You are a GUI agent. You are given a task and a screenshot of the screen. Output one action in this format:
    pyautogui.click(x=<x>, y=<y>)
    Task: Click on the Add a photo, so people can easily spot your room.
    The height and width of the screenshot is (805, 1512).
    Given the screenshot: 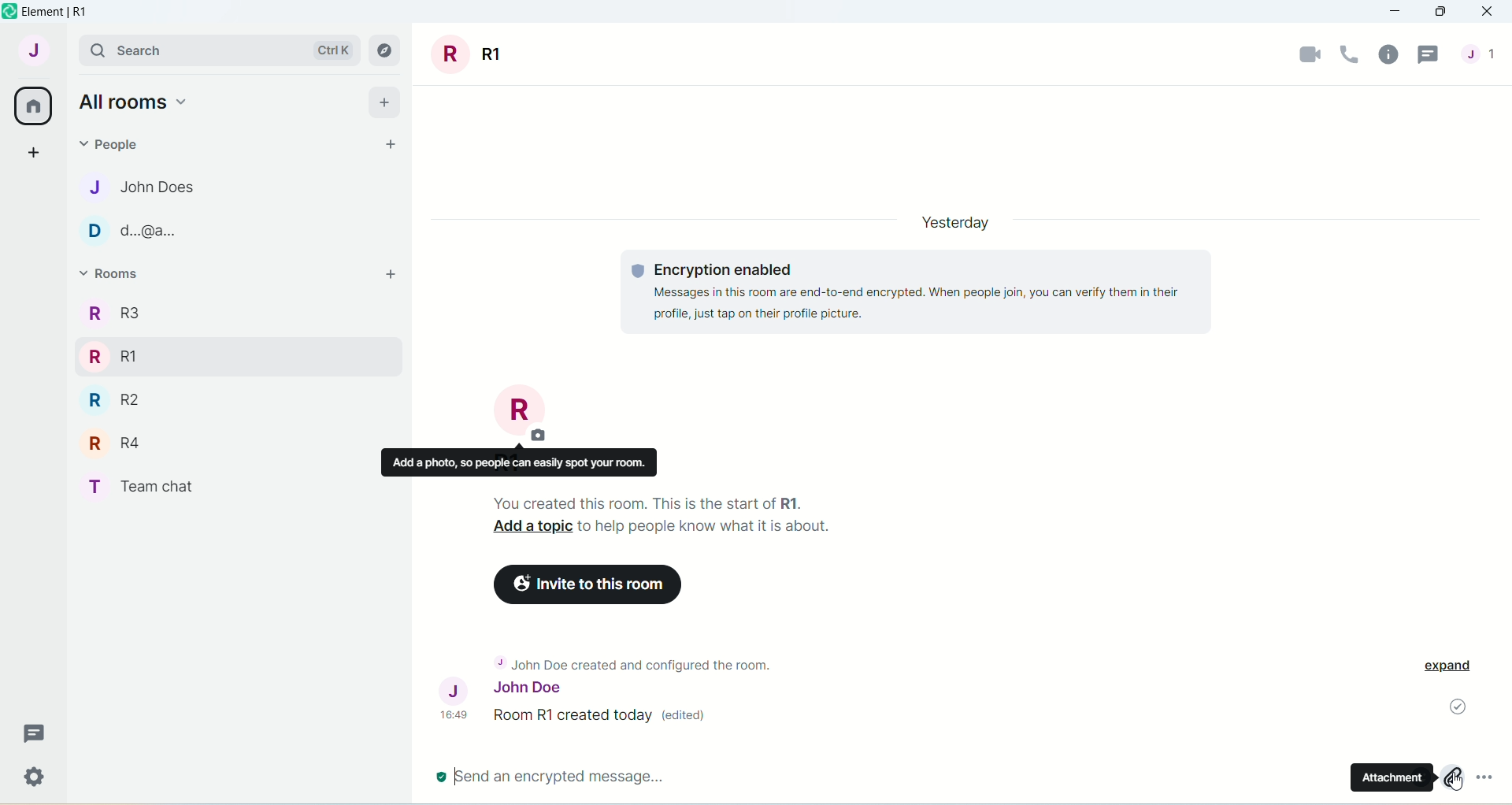 What is the action you would take?
    pyautogui.click(x=525, y=464)
    